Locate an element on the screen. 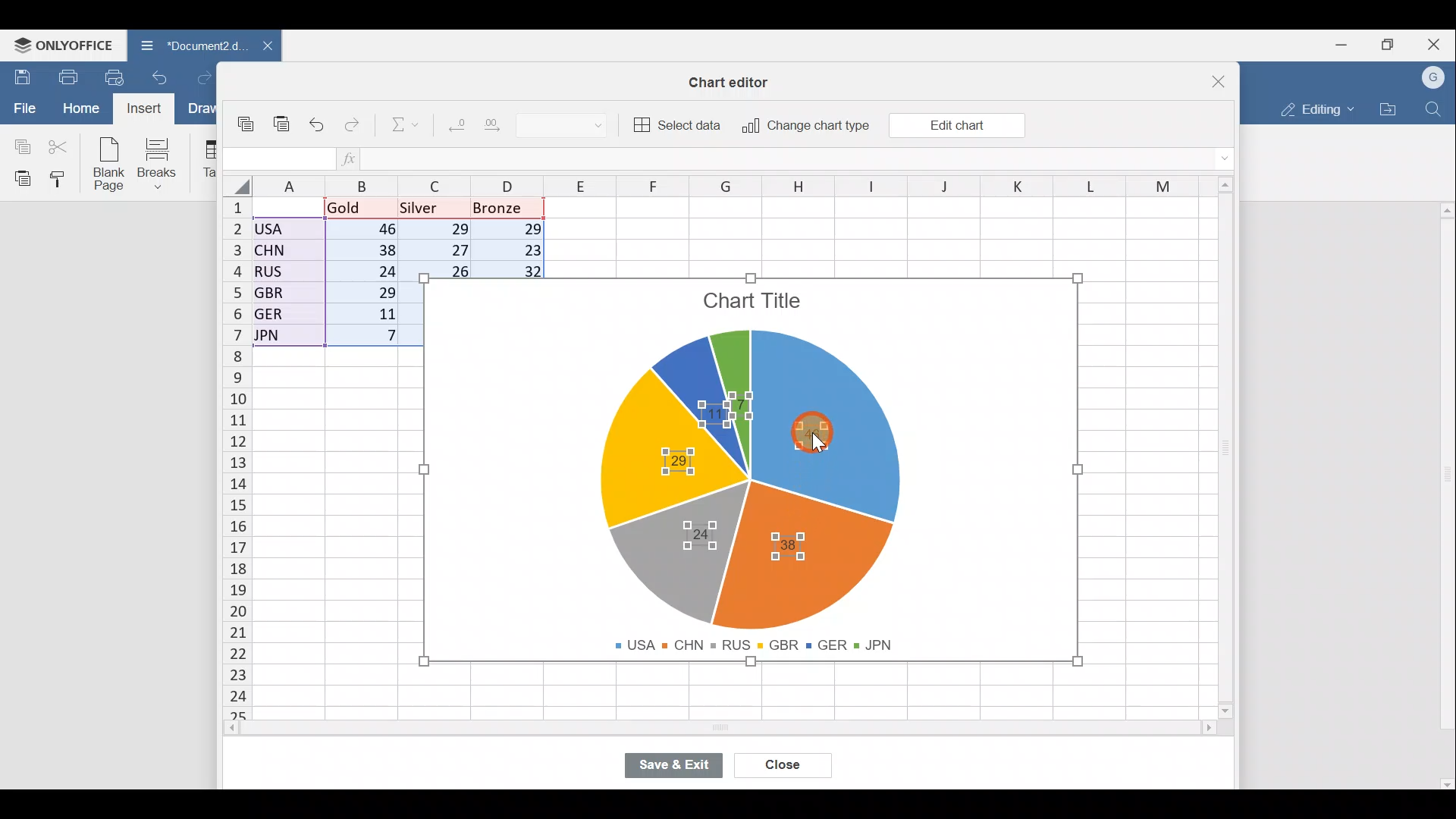  Chart legends is located at coordinates (761, 642).